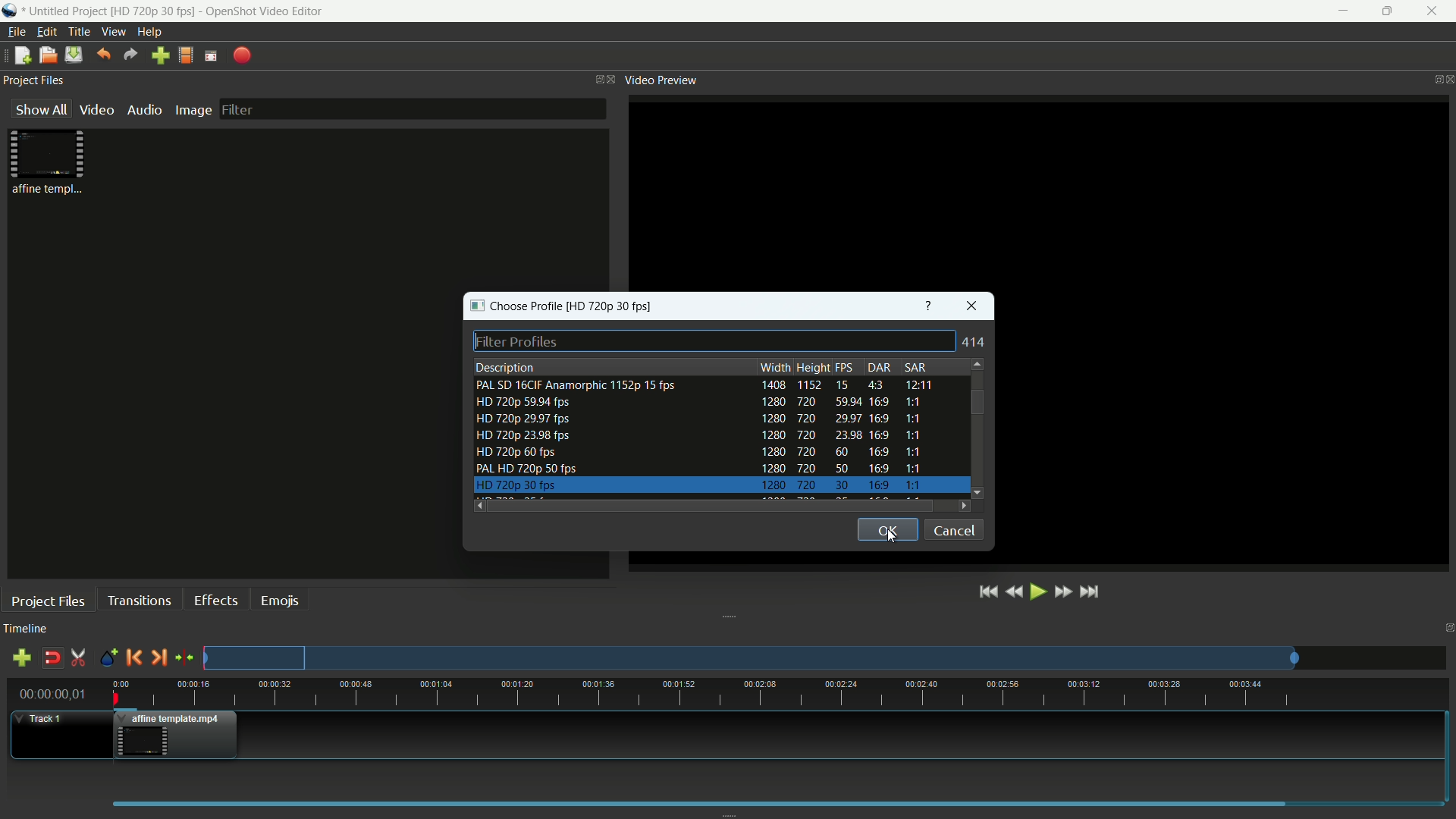 The width and height of the screenshot is (1456, 819). What do you see at coordinates (915, 366) in the screenshot?
I see `sar` at bounding box center [915, 366].